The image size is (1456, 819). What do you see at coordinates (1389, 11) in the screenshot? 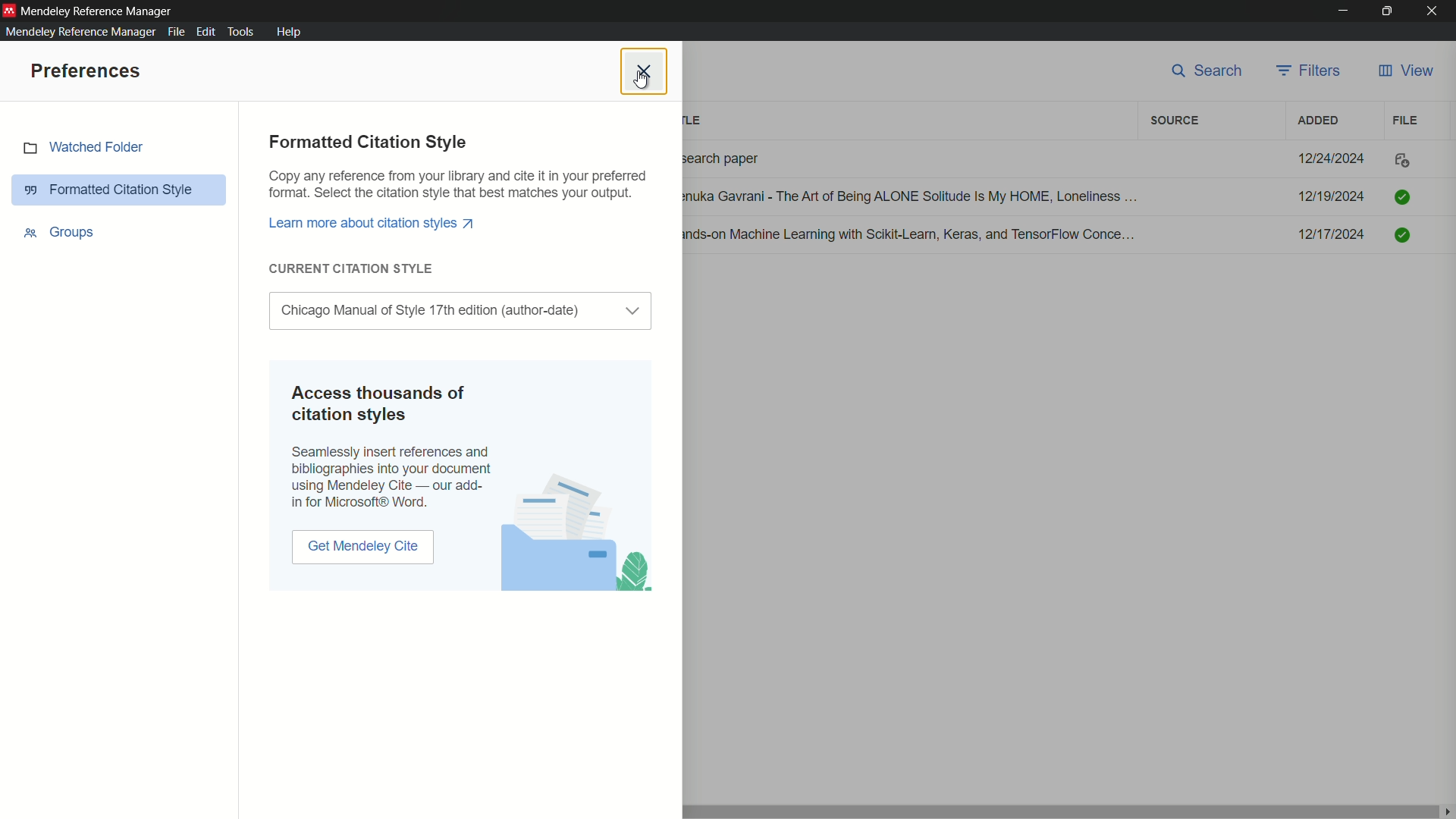
I see `maximize` at bounding box center [1389, 11].